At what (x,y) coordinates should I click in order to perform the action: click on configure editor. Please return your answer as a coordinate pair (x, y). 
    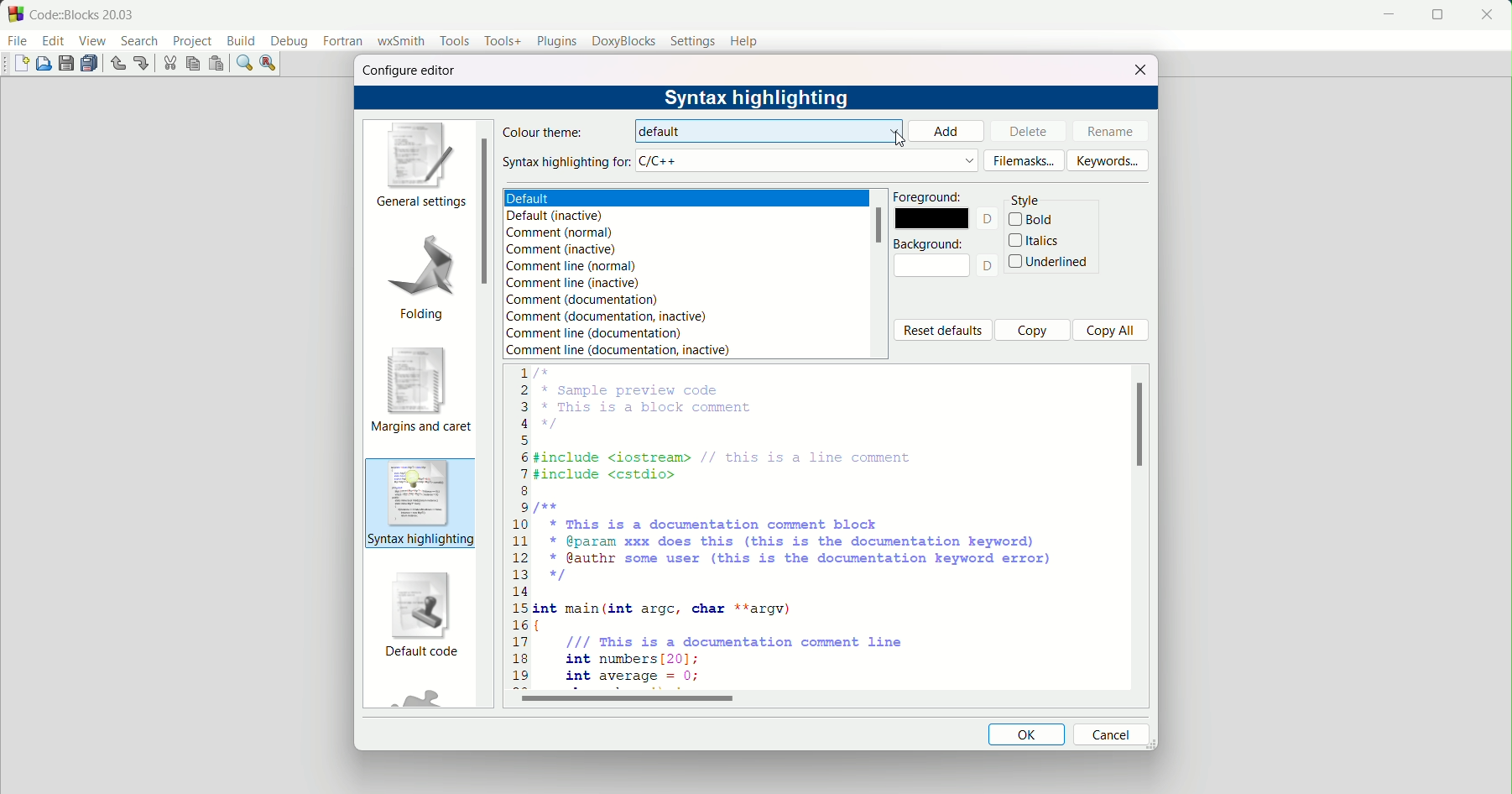
    Looking at the image, I should click on (410, 71).